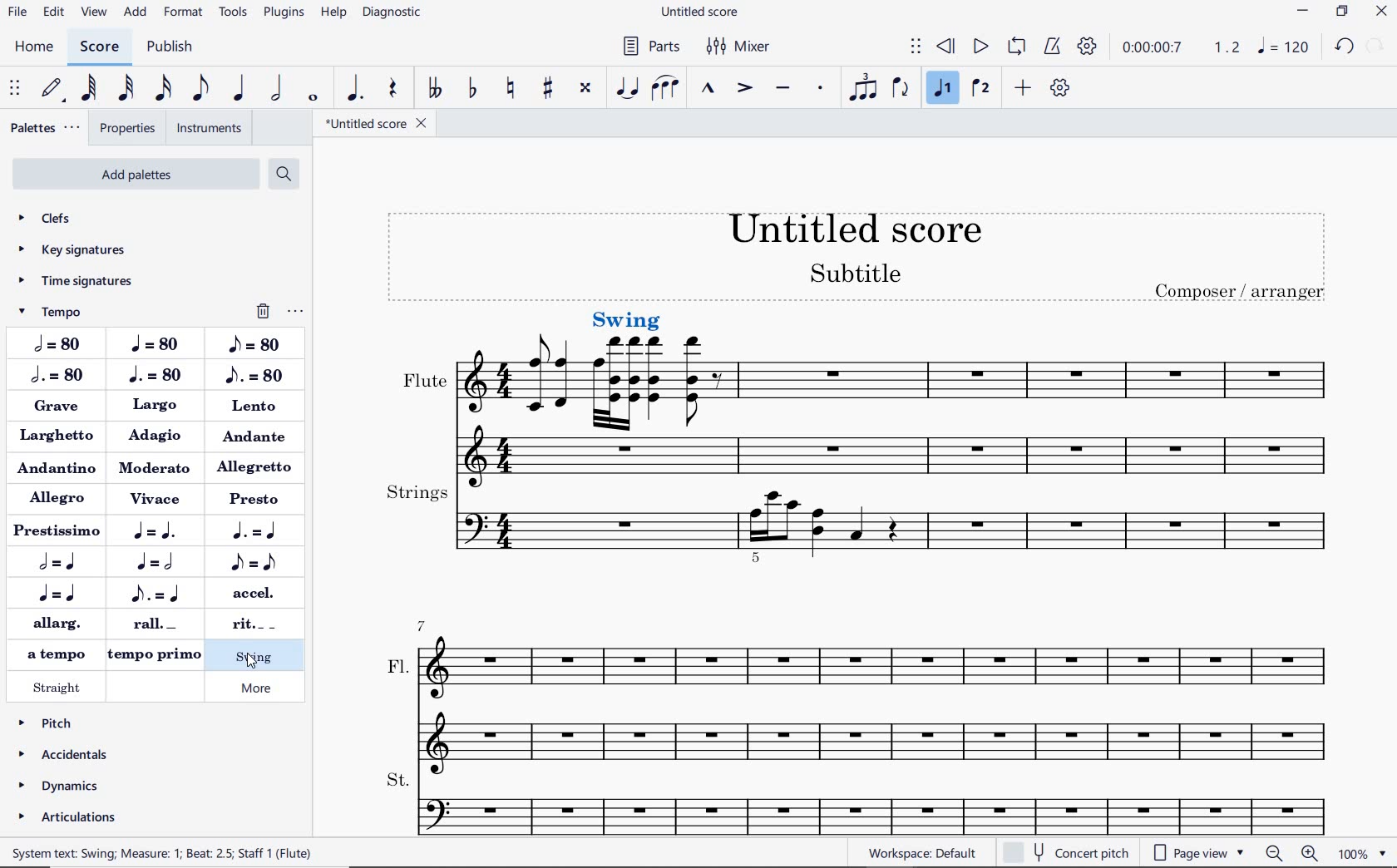 The image size is (1397, 868). I want to click on instruments, so click(205, 129).